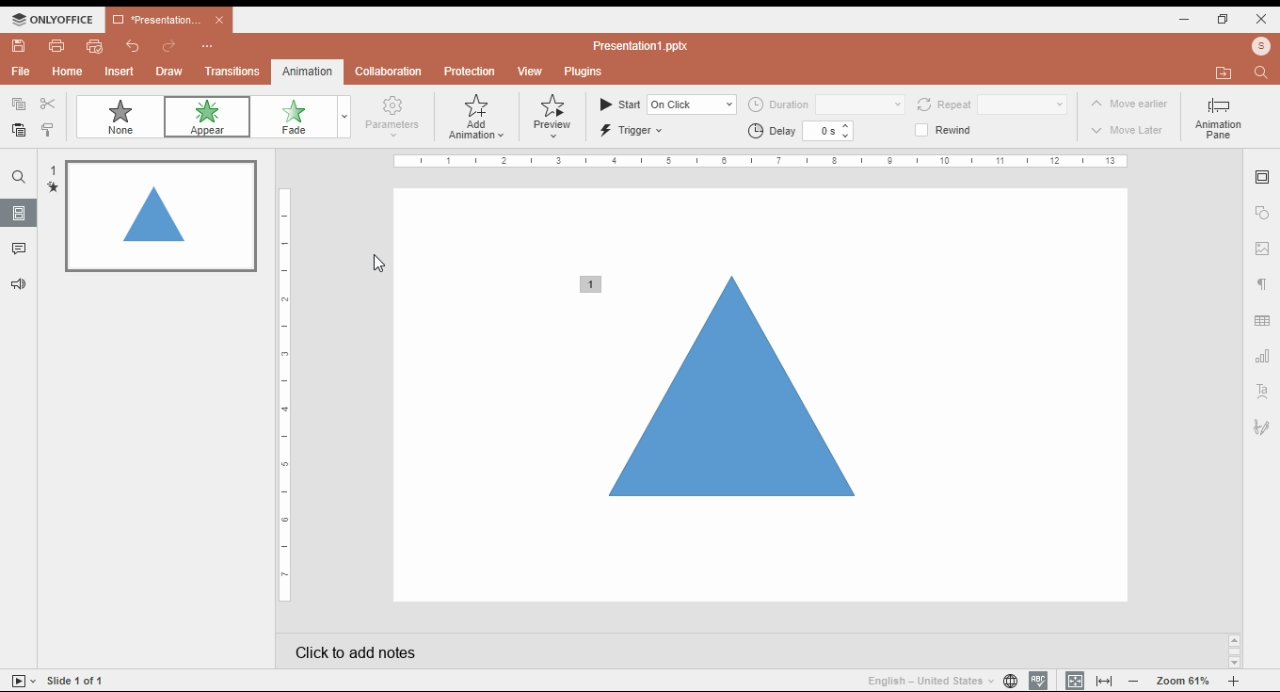 The width and height of the screenshot is (1280, 692). Describe the element at coordinates (483, 120) in the screenshot. I see `add animations` at that location.